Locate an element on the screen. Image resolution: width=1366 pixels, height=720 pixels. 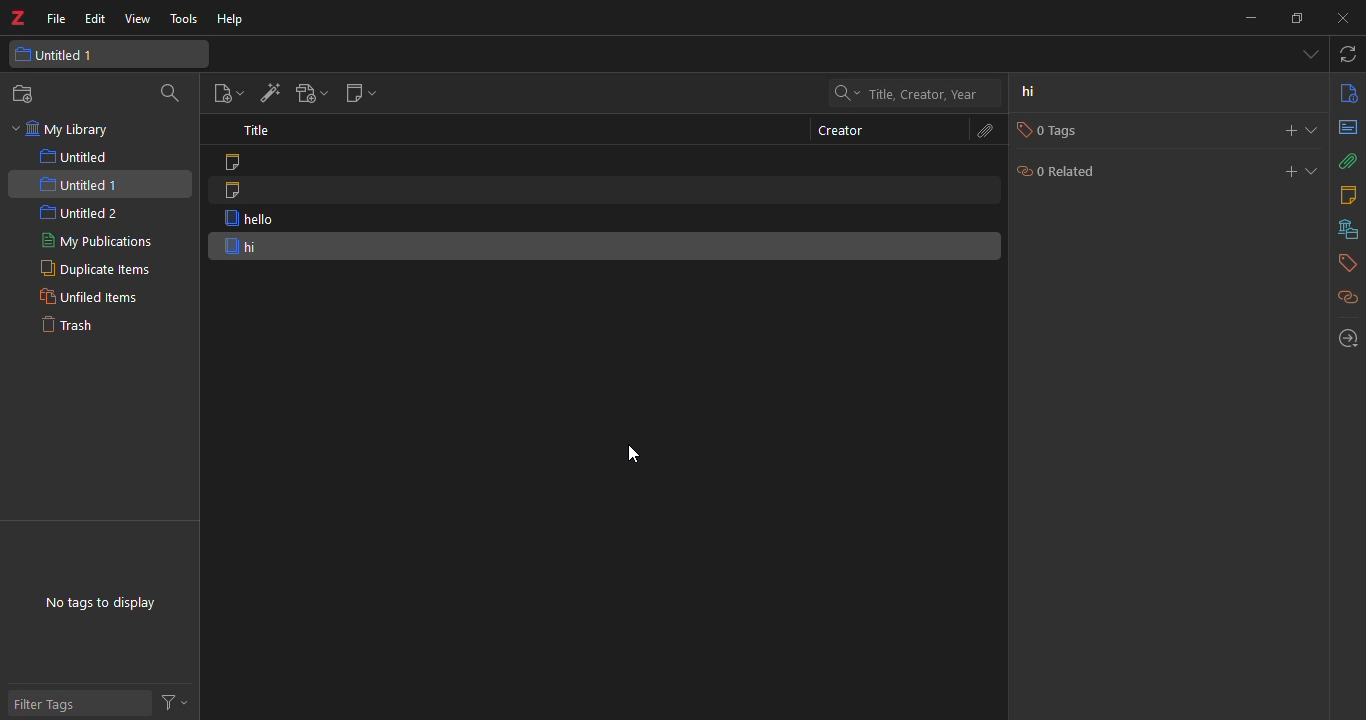
note is located at coordinates (233, 160).